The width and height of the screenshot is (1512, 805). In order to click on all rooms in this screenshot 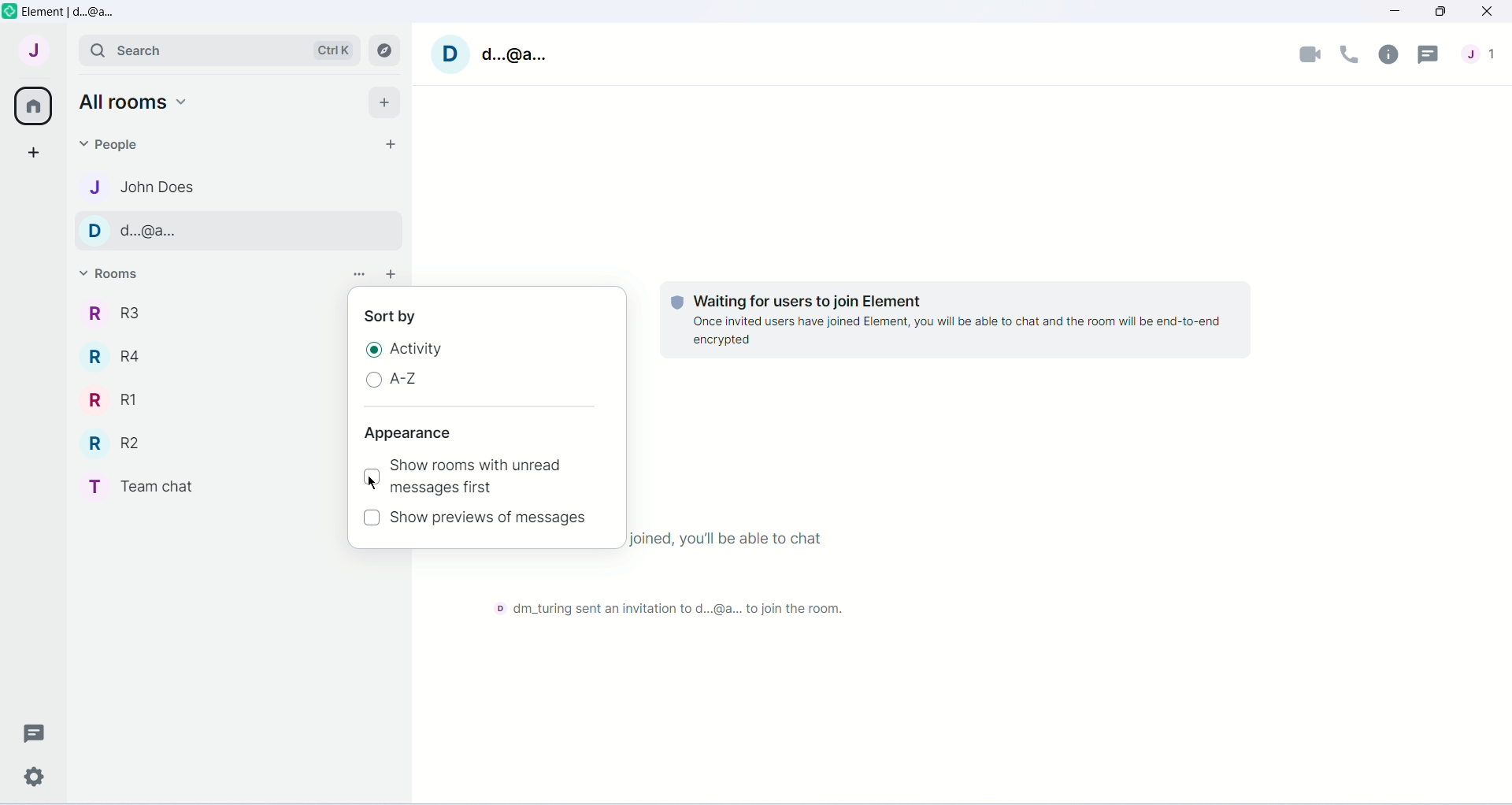, I will do `click(135, 101)`.